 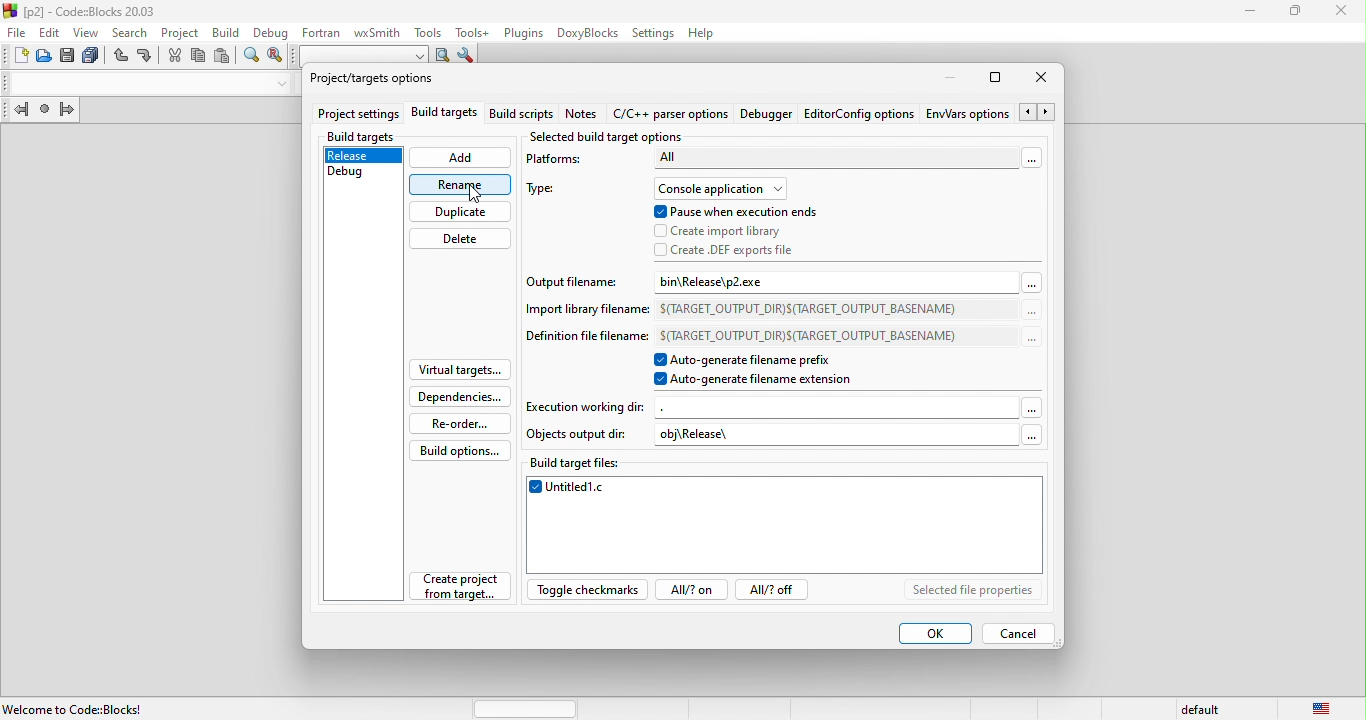 I want to click on import library file name, so click(x=586, y=313).